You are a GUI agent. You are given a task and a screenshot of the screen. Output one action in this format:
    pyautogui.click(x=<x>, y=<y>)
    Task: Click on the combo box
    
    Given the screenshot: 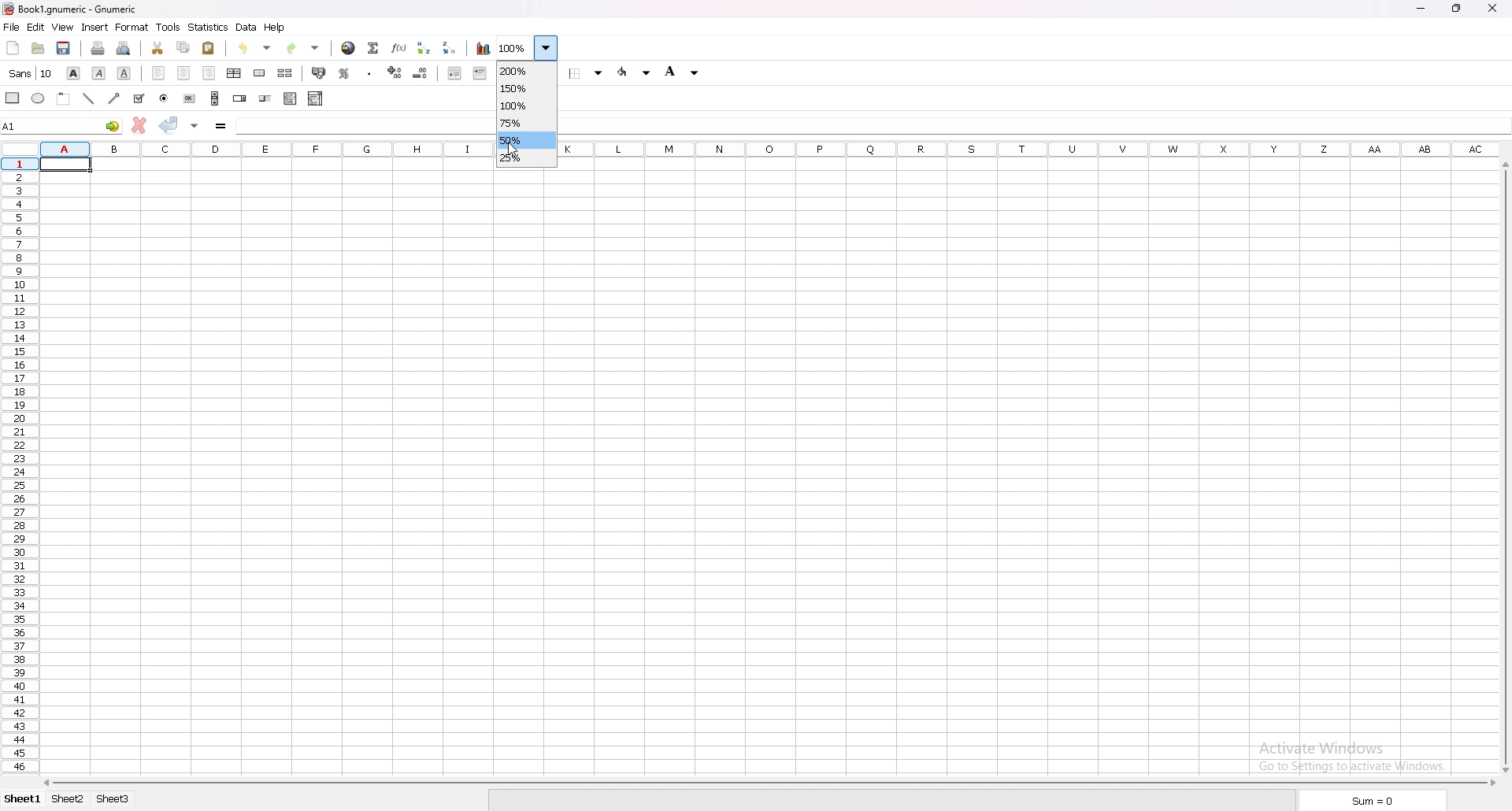 What is the action you would take?
    pyautogui.click(x=316, y=98)
    